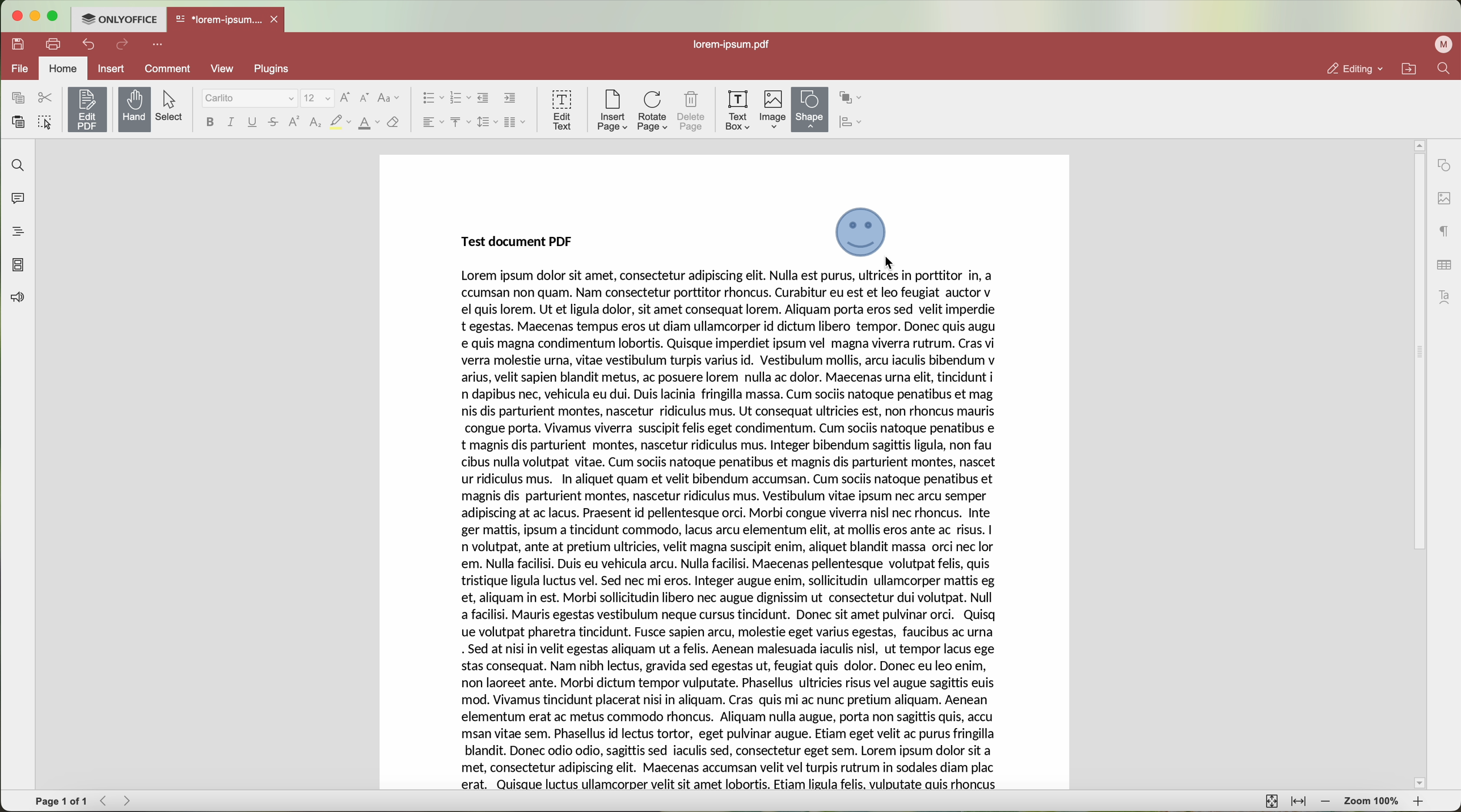 The width and height of the screenshot is (1461, 812). Describe the element at coordinates (120, 19) in the screenshot. I see `ONLYOFFICE` at that location.